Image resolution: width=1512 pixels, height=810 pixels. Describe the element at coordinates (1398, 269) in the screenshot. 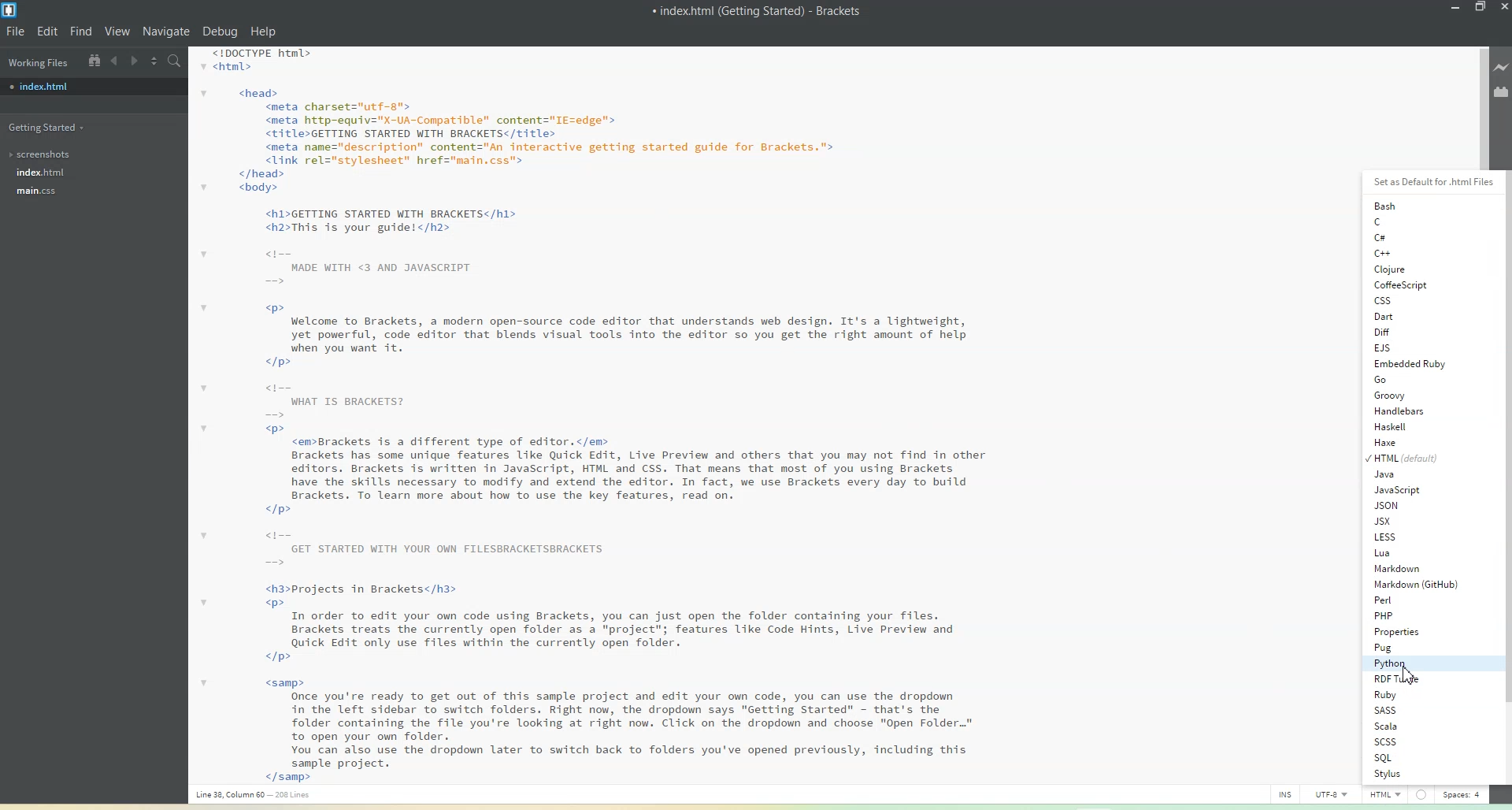

I see `Clojure` at that location.